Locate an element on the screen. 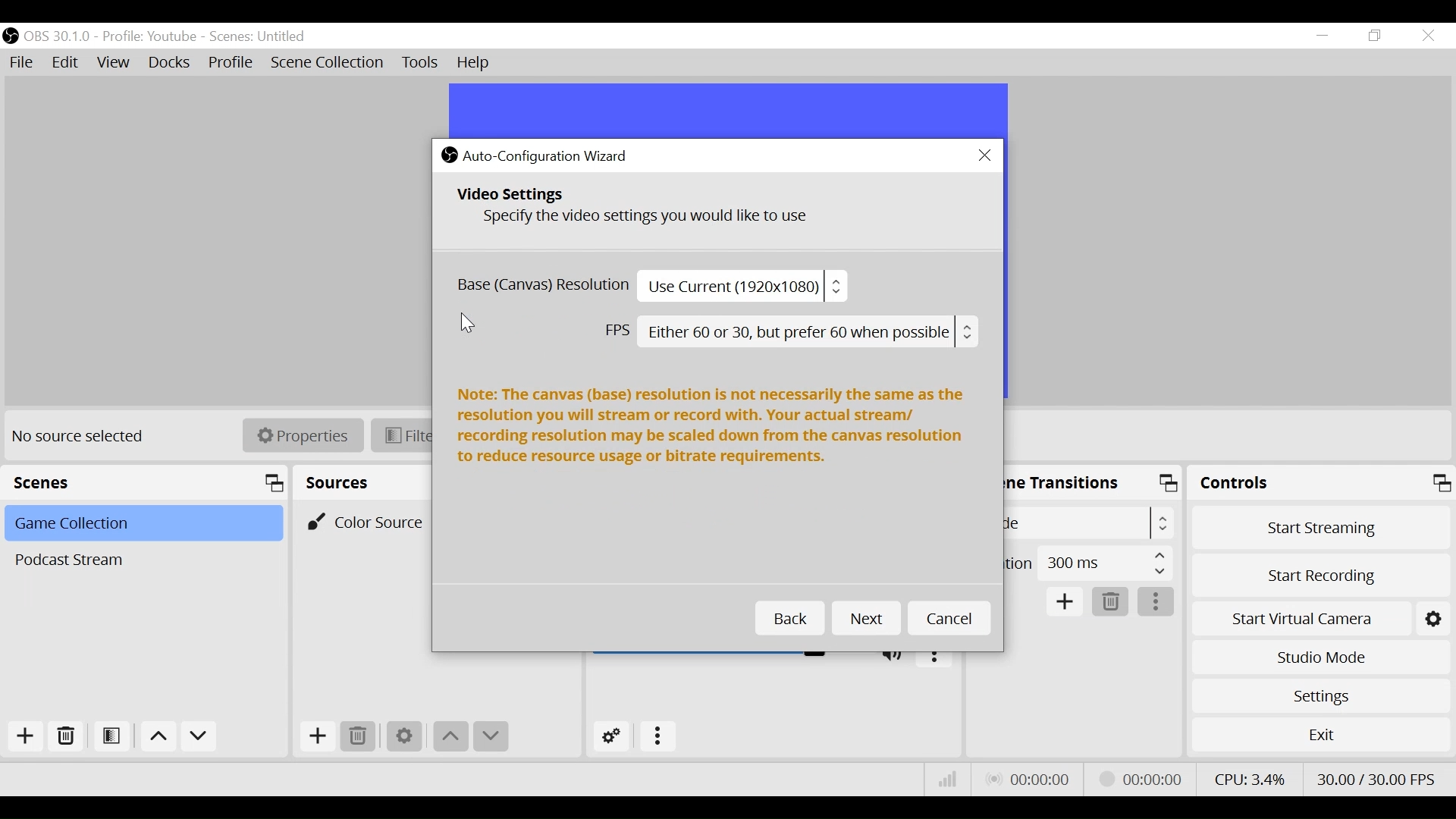 This screenshot has width=1456, height=819. Advanced Audio Settings is located at coordinates (609, 736).